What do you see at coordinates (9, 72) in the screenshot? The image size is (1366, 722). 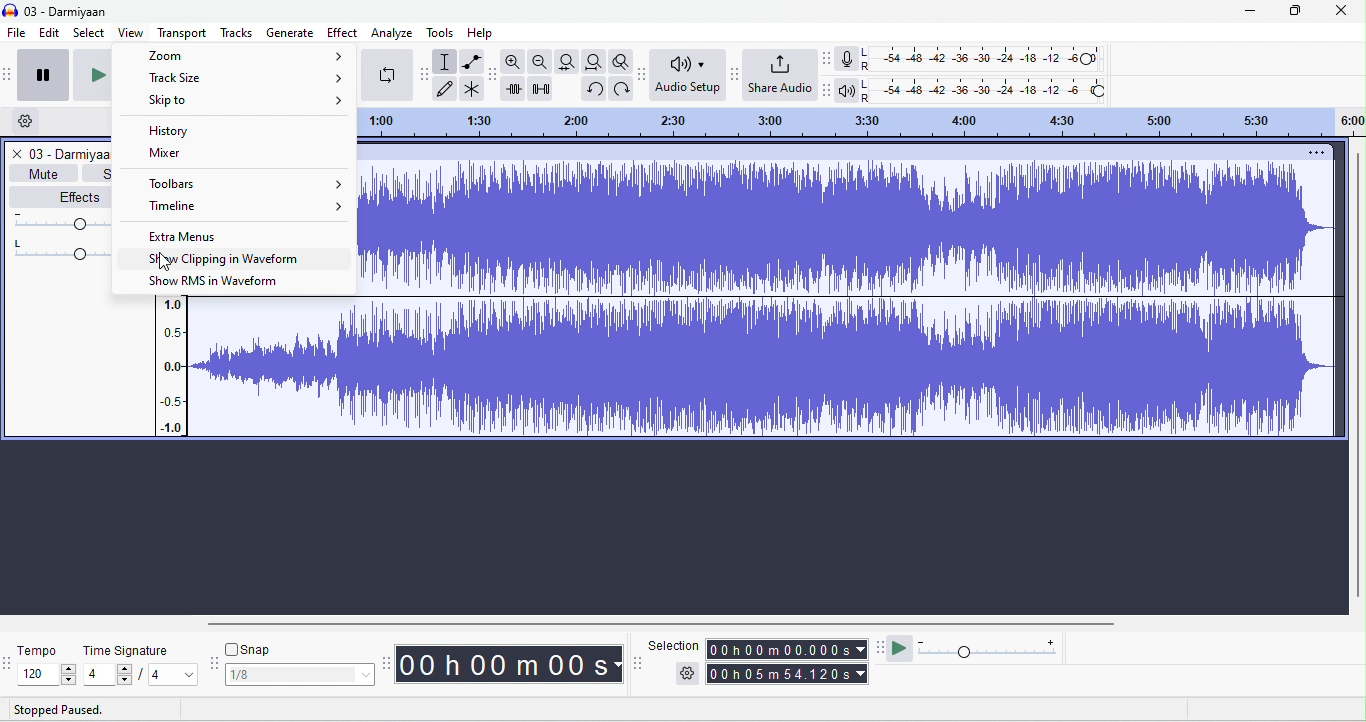 I see `audacity transport toolbar` at bounding box center [9, 72].